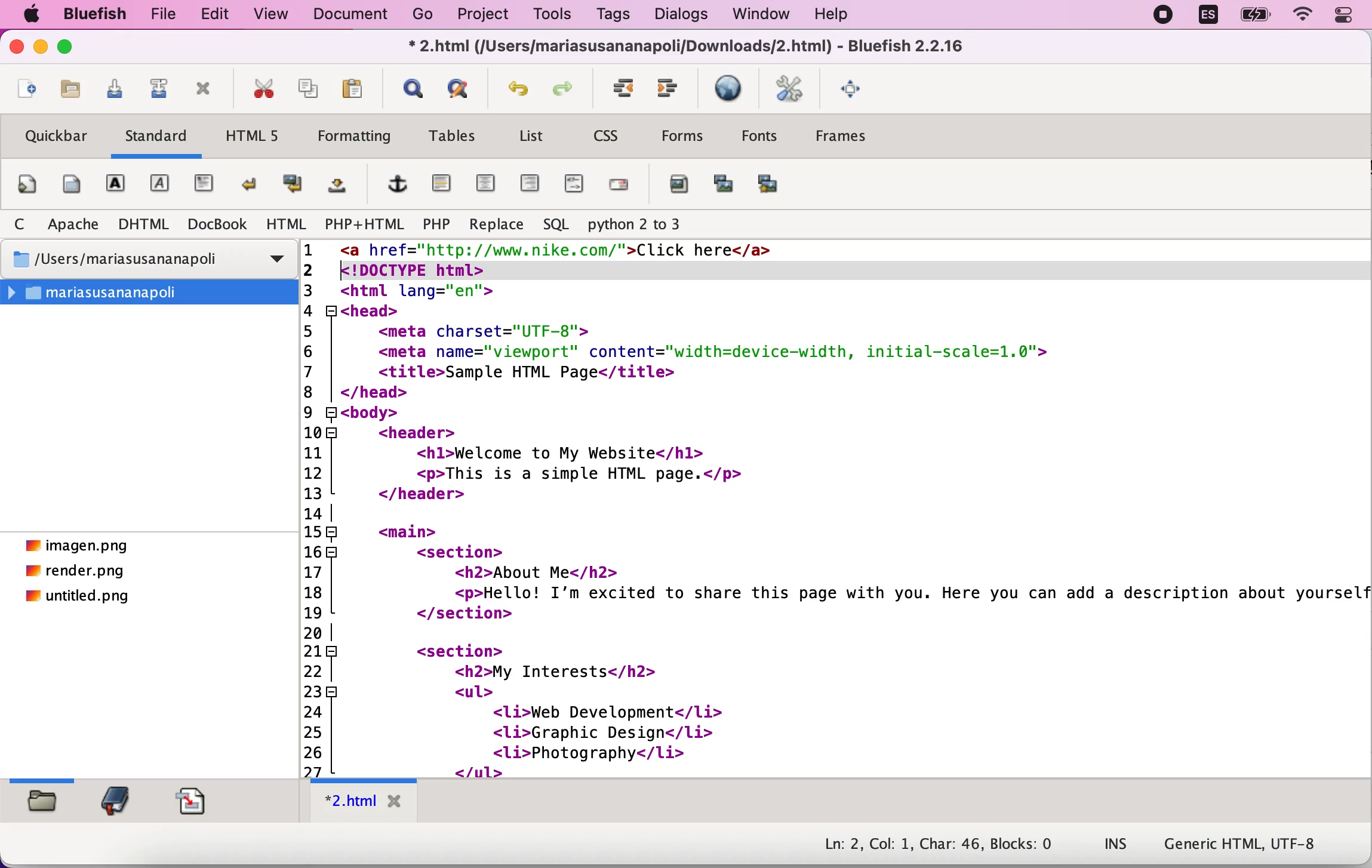 The image size is (1372, 868). What do you see at coordinates (159, 184) in the screenshot?
I see `emphasis` at bounding box center [159, 184].